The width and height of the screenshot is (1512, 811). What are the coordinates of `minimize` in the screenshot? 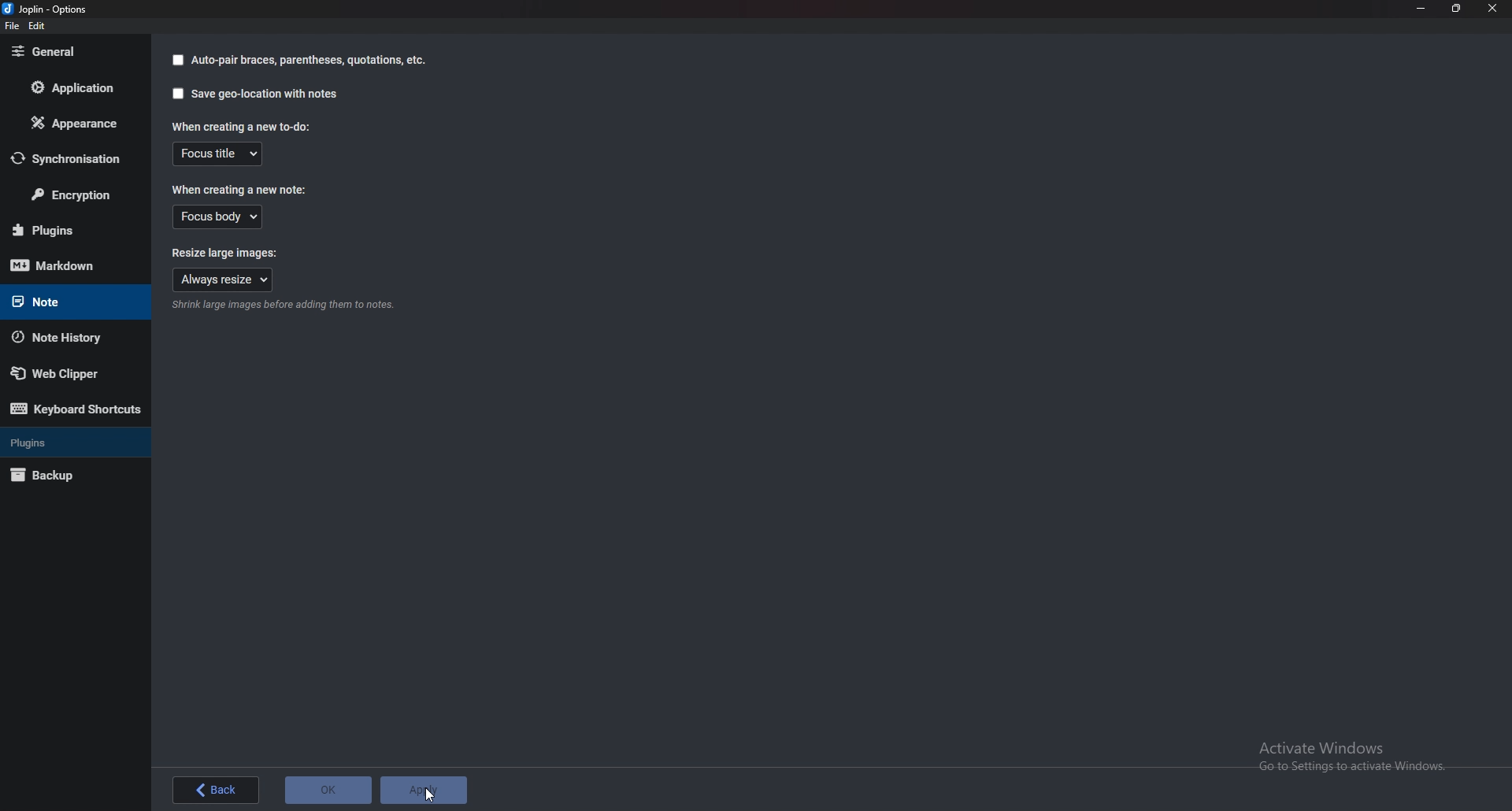 It's located at (1422, 8).